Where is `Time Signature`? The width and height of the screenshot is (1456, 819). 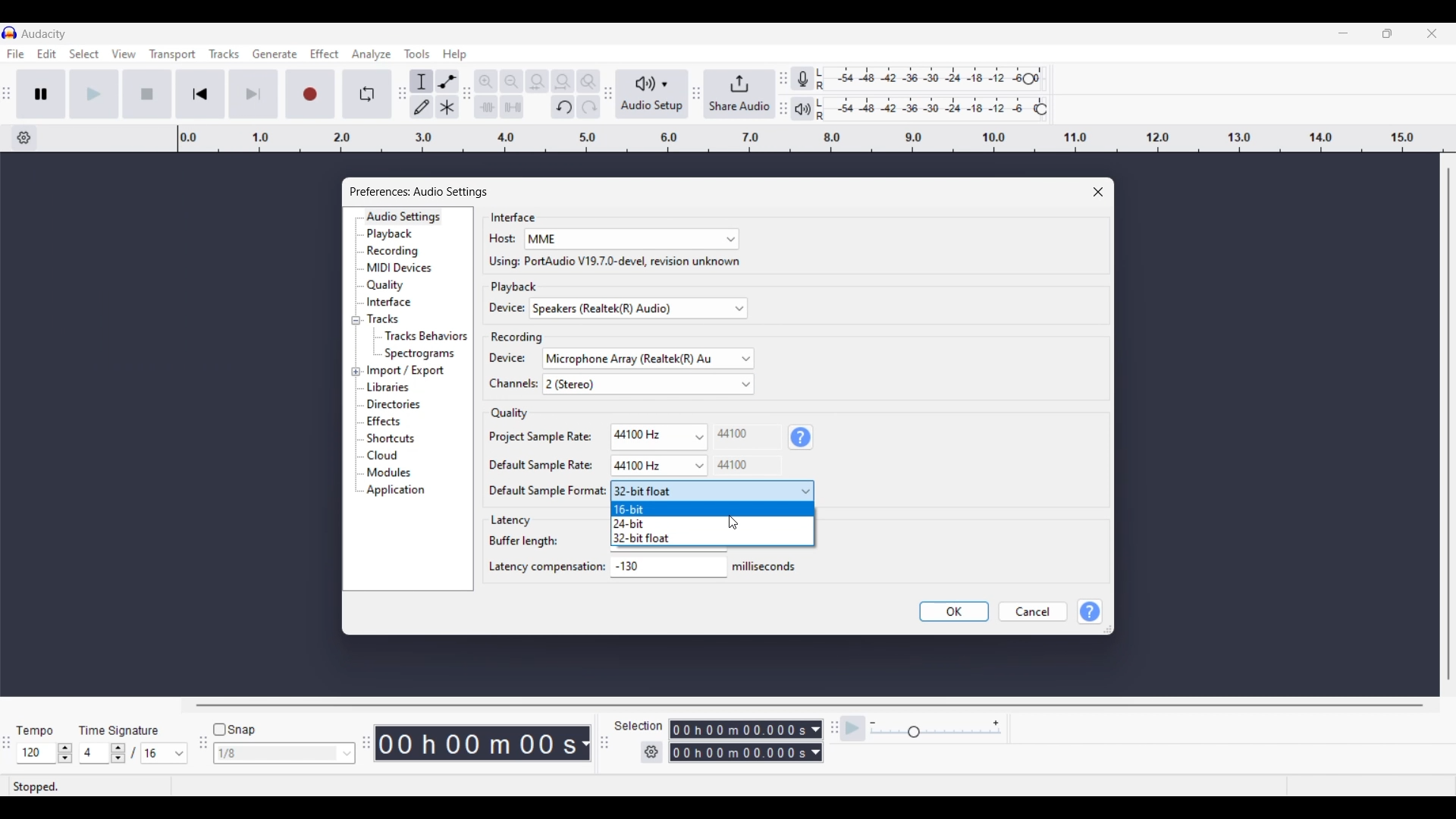 Time Signature is located at coordinates (121, 730).